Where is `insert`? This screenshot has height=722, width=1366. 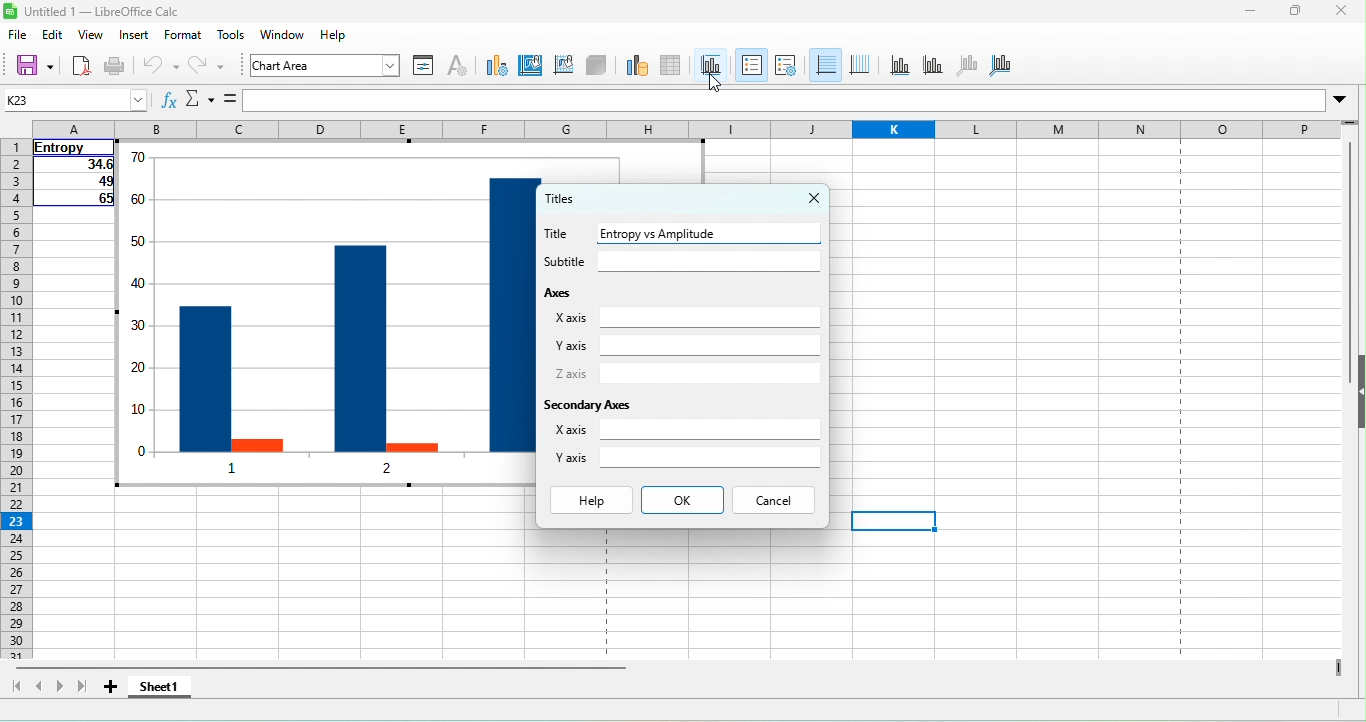 insert is located at coordinates (137, 37).